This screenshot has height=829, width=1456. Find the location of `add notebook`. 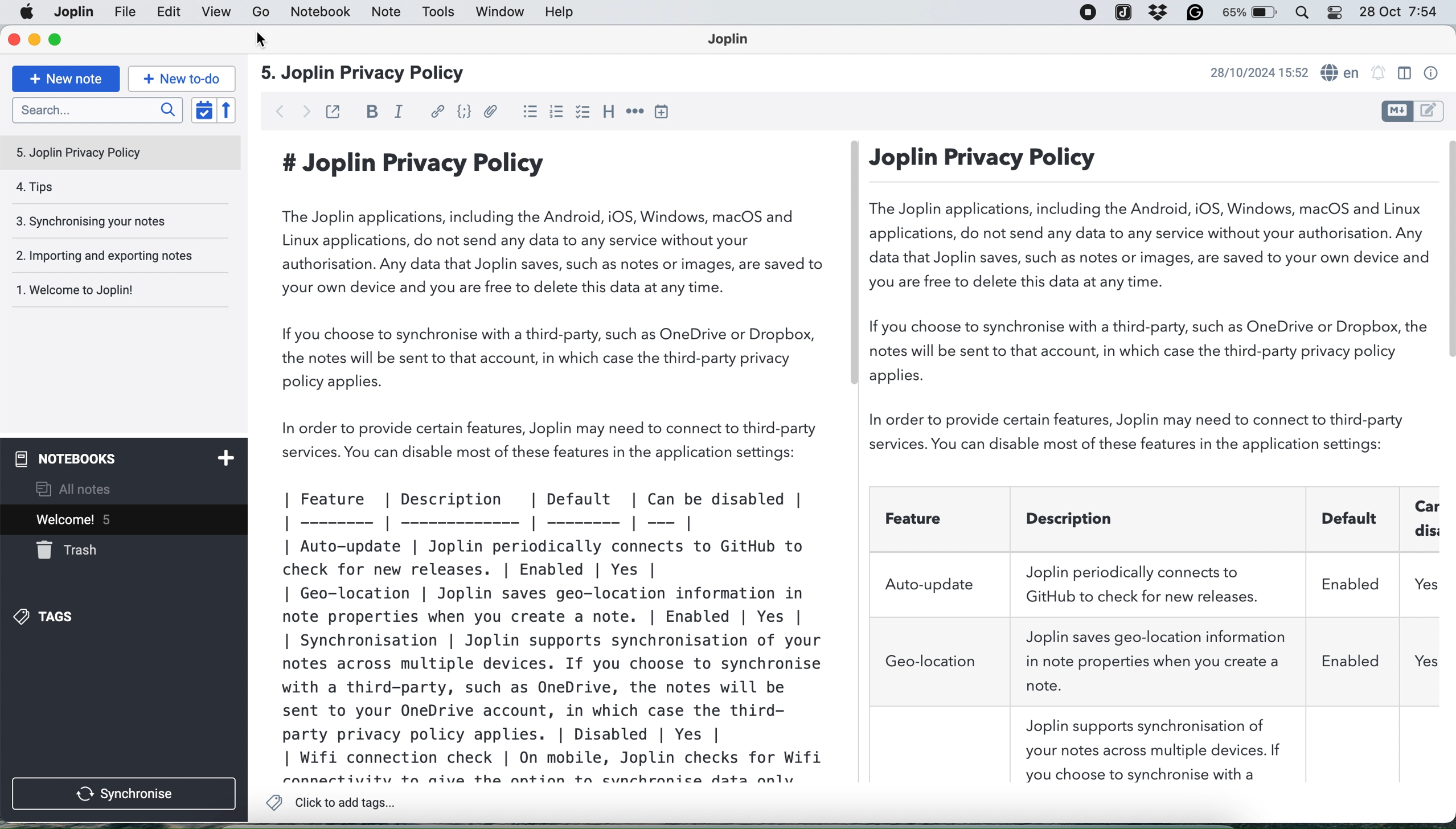

add notebook is located at coordinates (224, 461).